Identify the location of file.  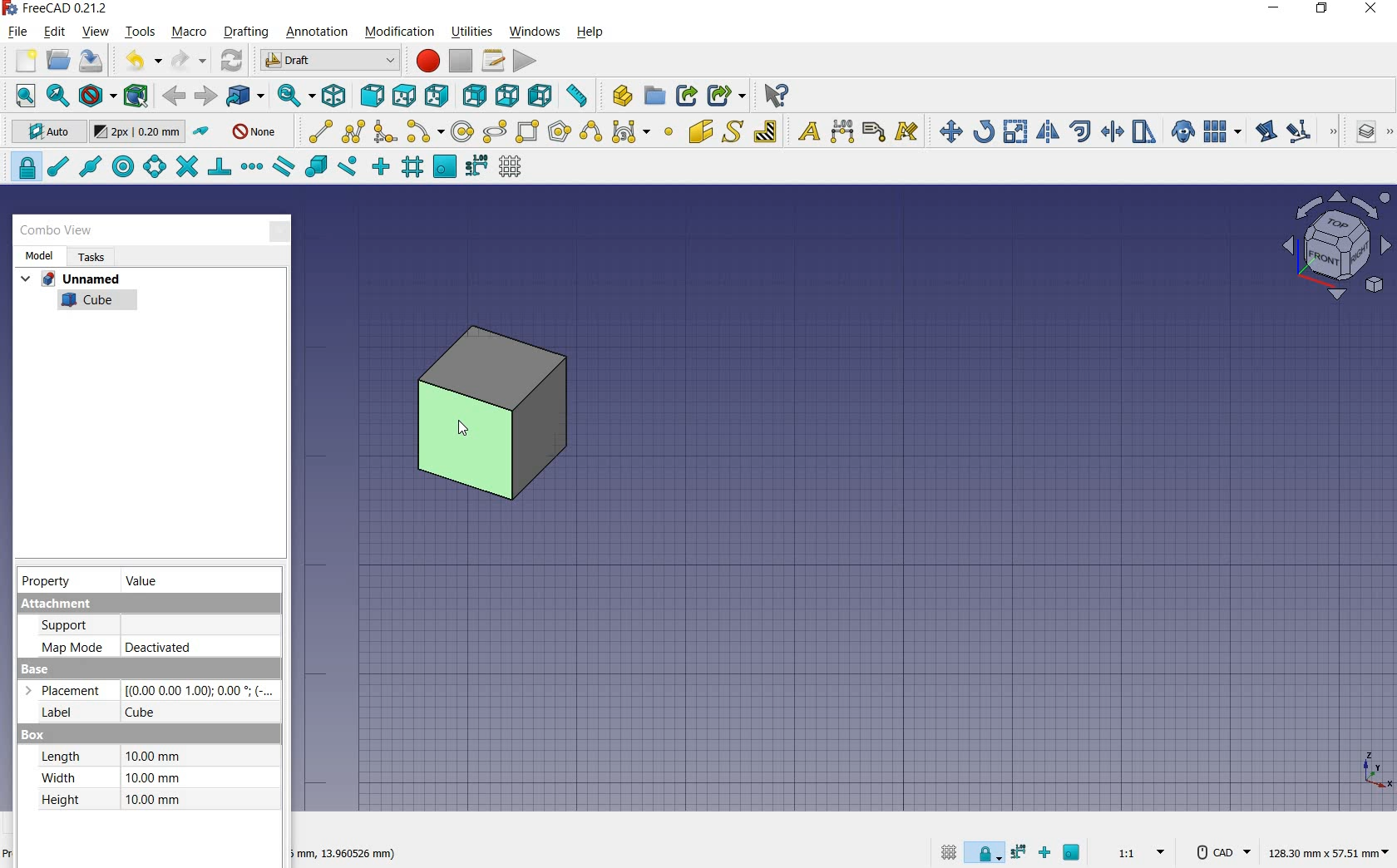
(19, 31).